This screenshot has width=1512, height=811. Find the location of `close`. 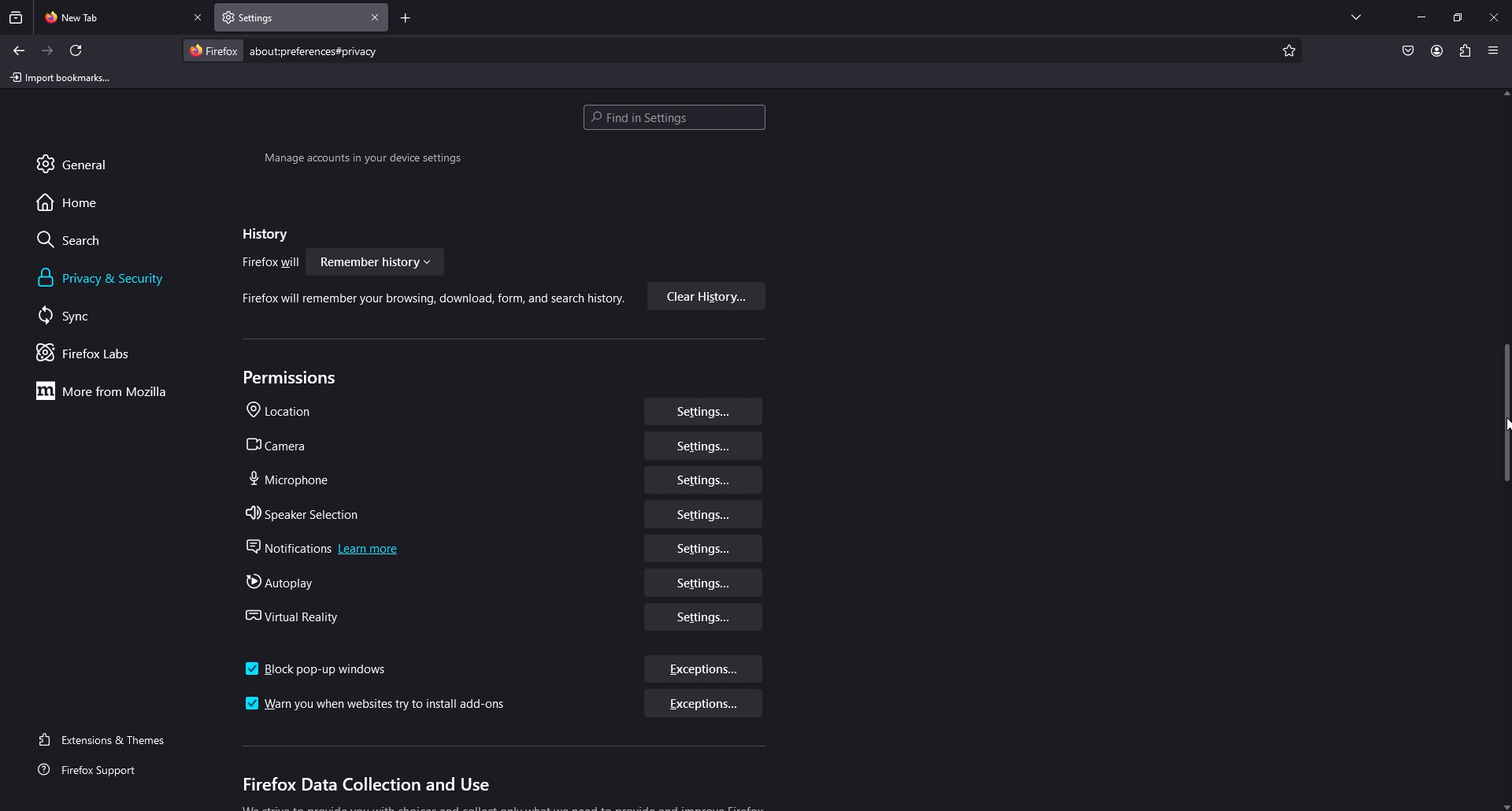

close is located at coordinates (1495, 16).